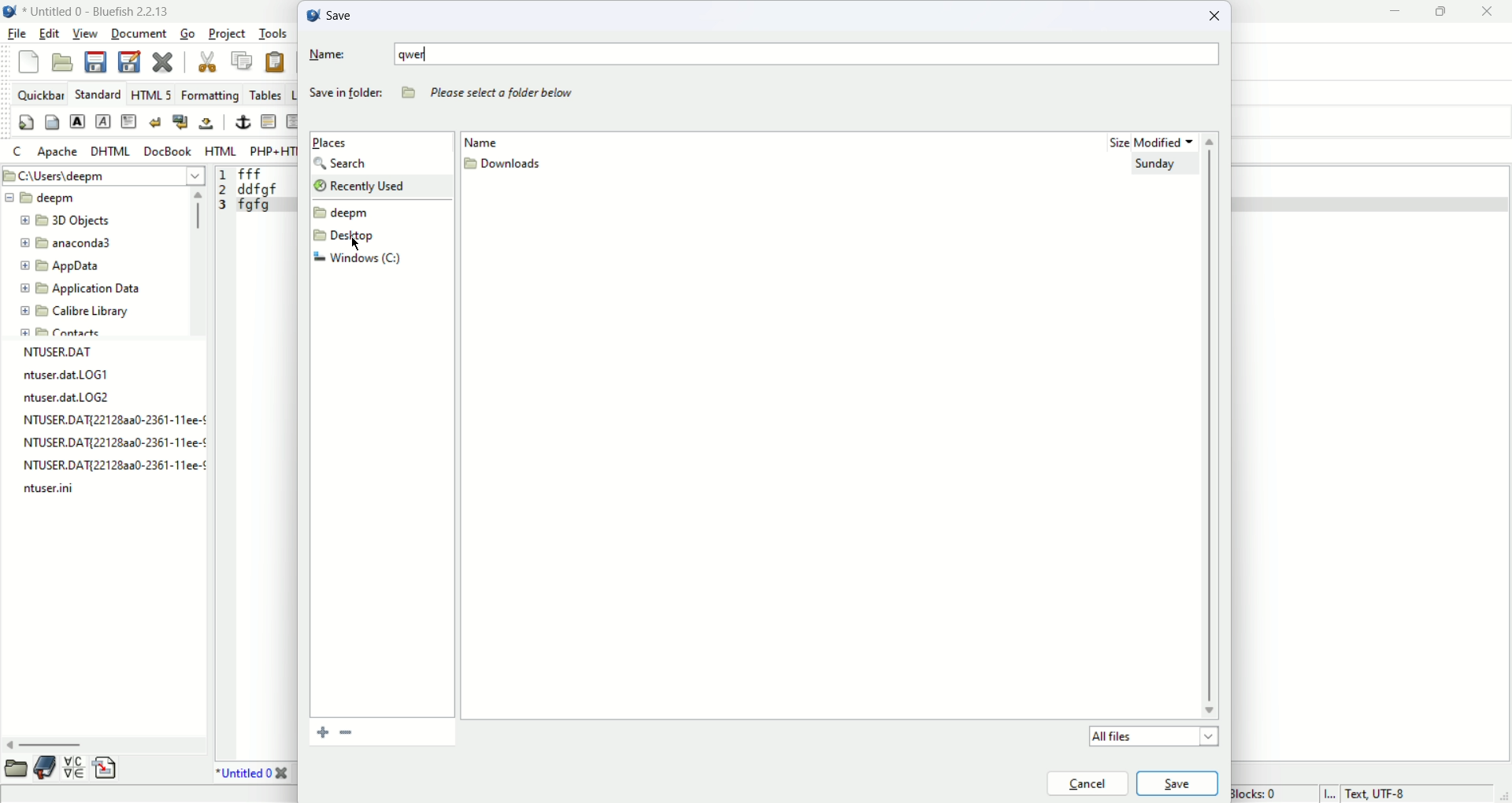 The image size is (1512, 803). Describe the element at coordinates (65, 61) in the screenshot. I see `open` at that location.